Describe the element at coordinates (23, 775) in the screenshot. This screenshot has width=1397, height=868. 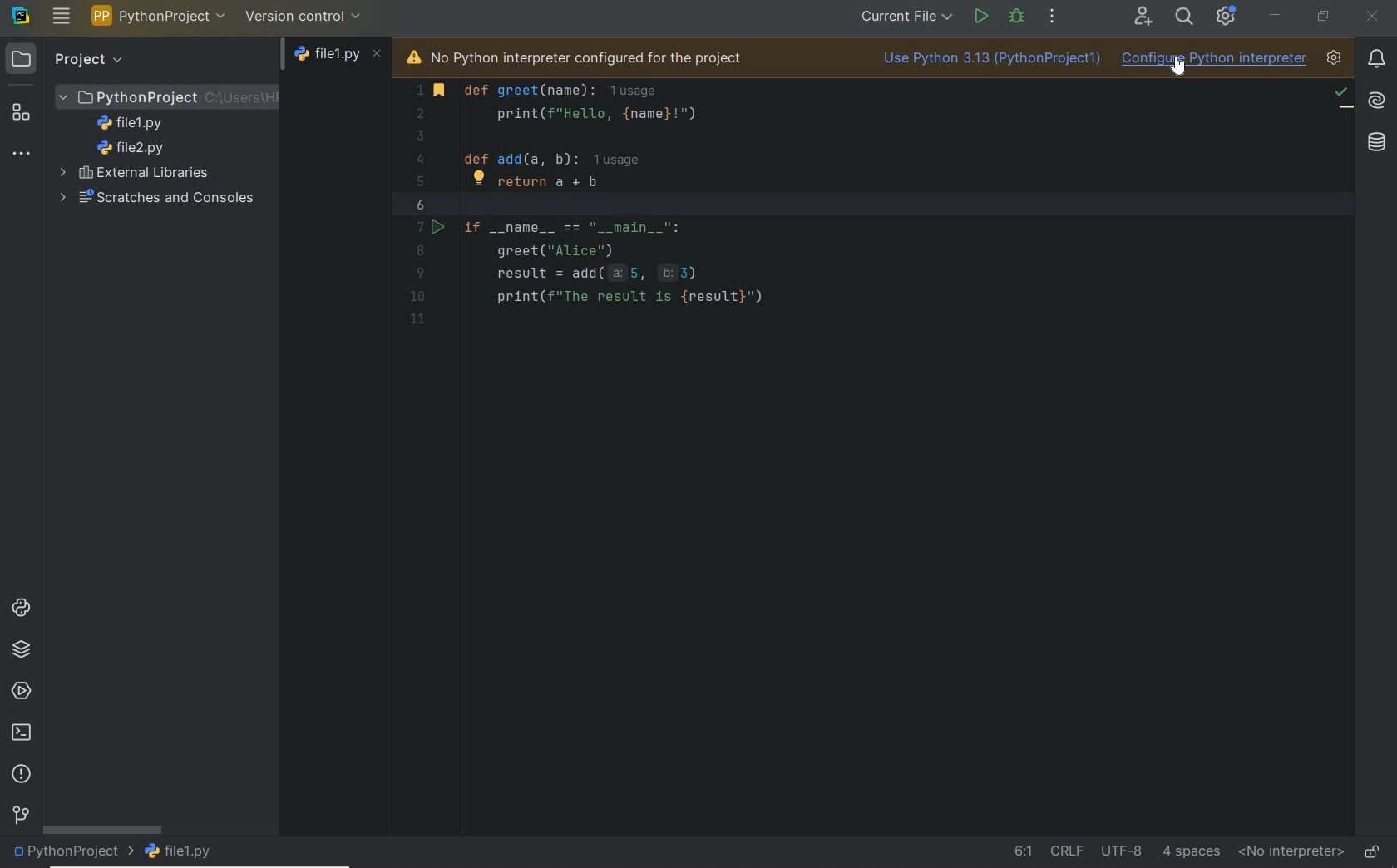
I see `problems` at that location.